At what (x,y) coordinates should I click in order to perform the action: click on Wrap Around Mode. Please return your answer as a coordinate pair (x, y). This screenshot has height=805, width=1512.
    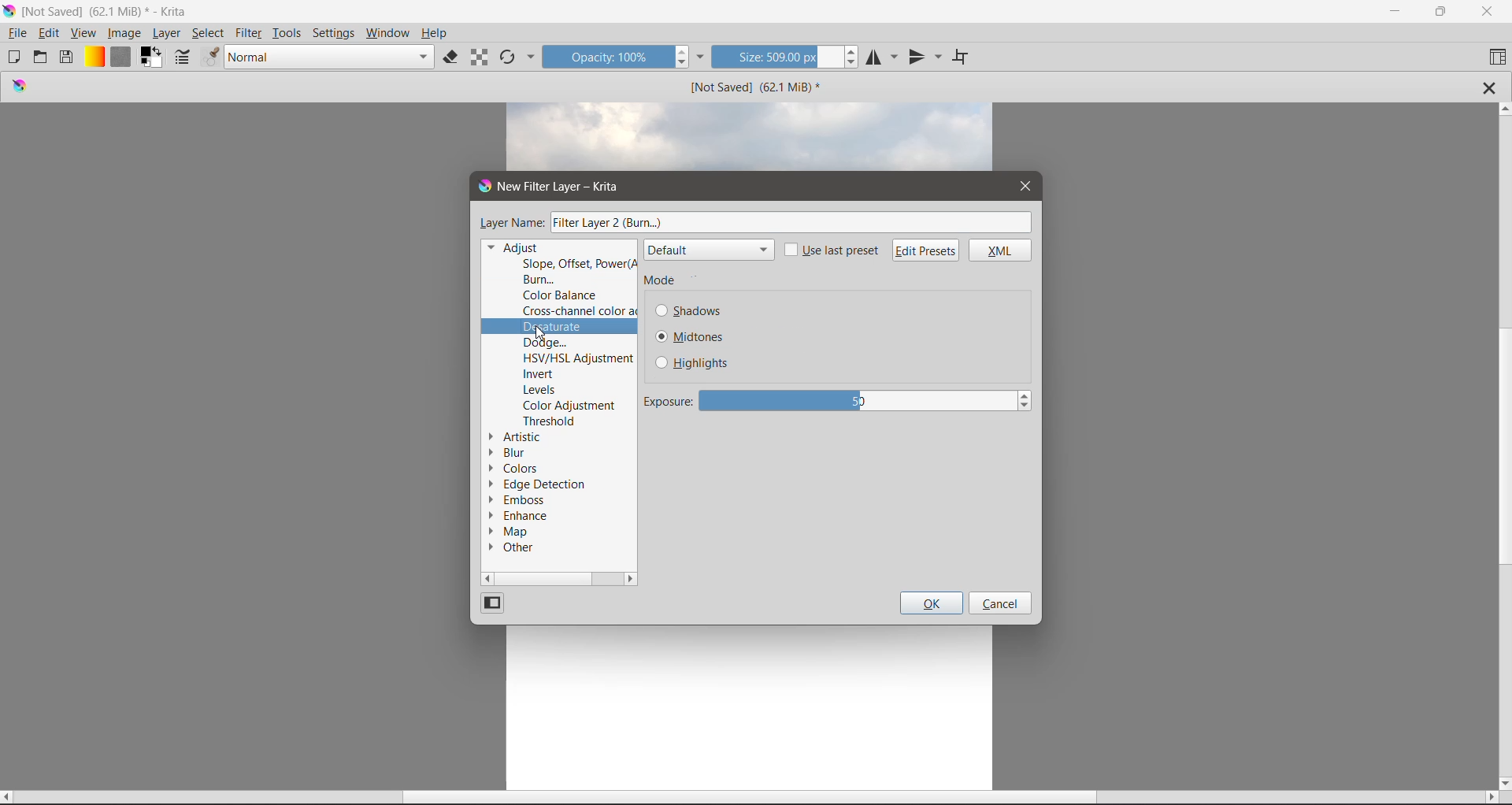
    Looking at the image, I should click on (961, 58).